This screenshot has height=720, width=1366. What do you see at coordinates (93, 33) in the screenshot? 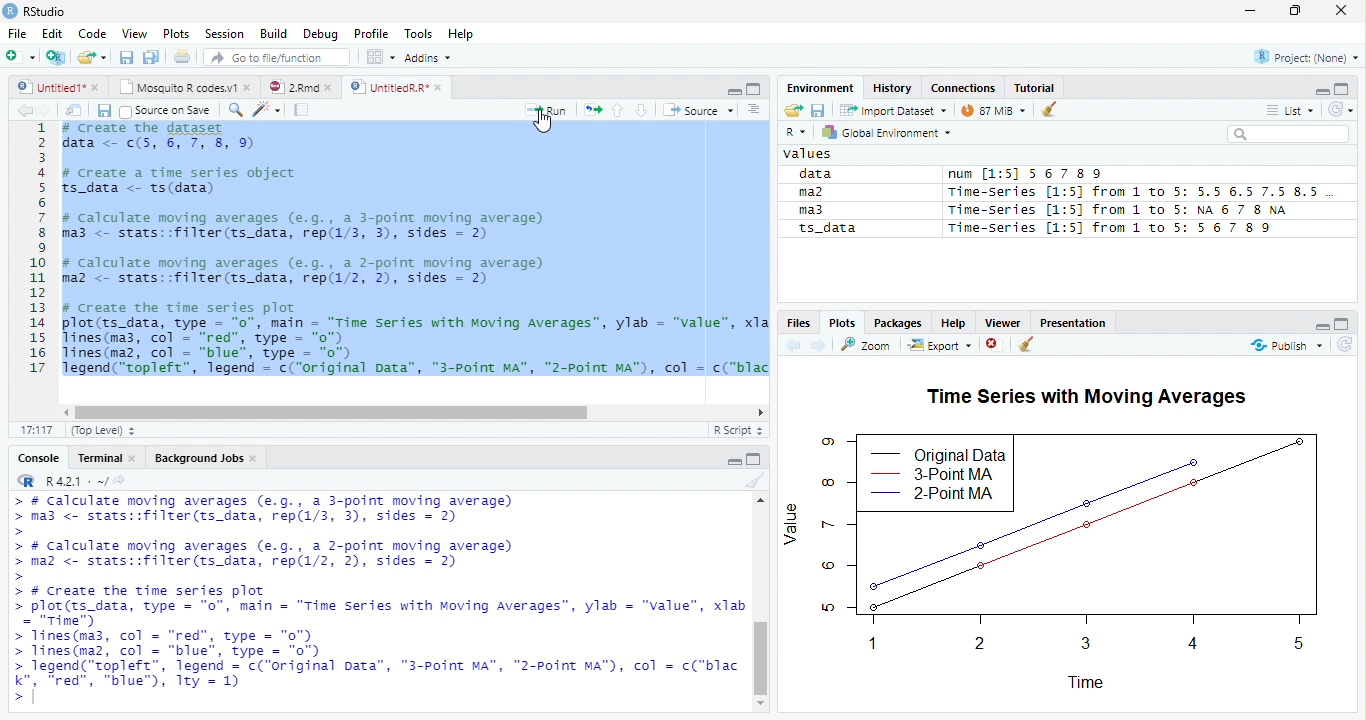
I see `Code` at bounding box center [93, 33].